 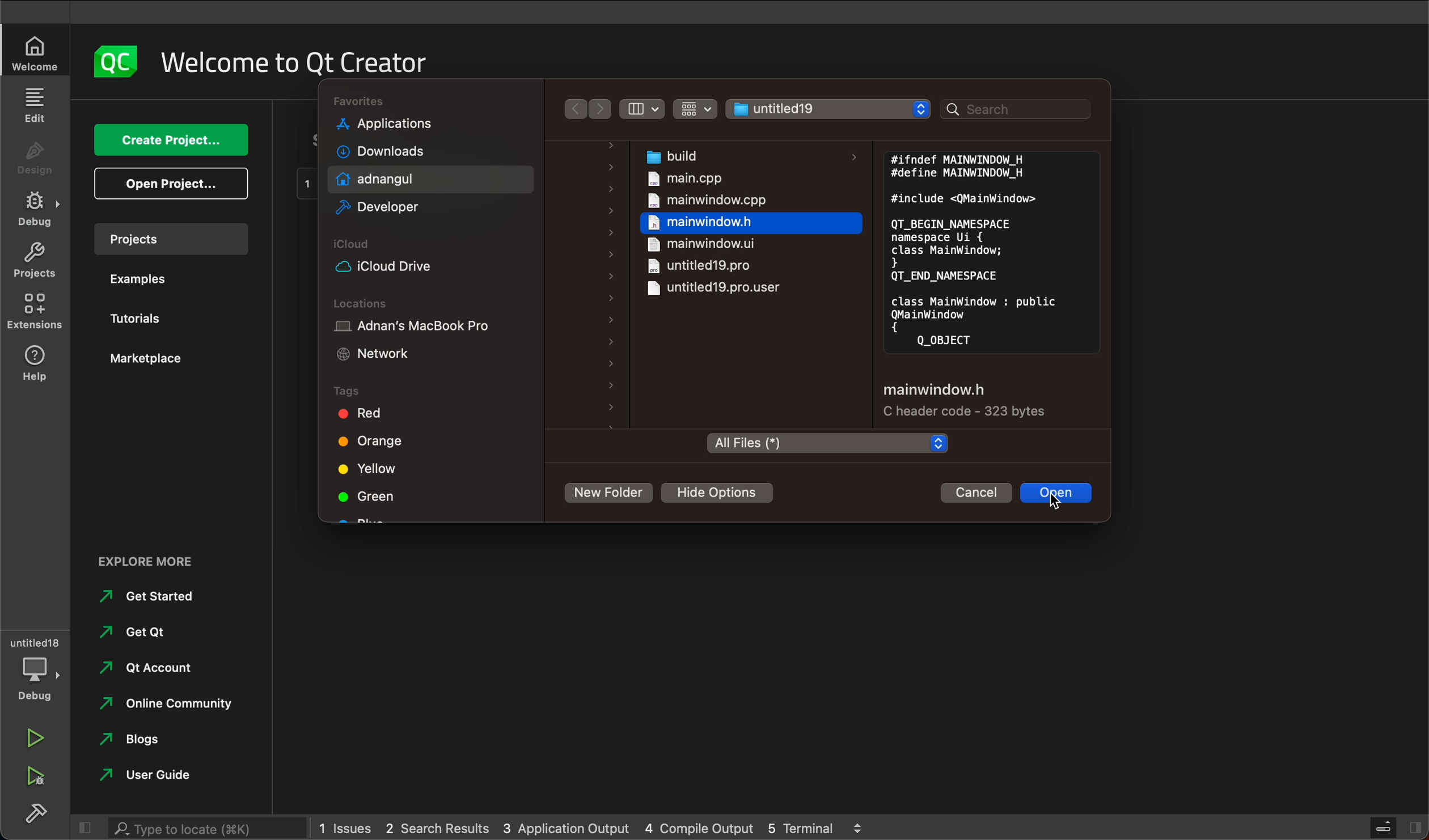 I want to click on , so click(x=695, y=109).